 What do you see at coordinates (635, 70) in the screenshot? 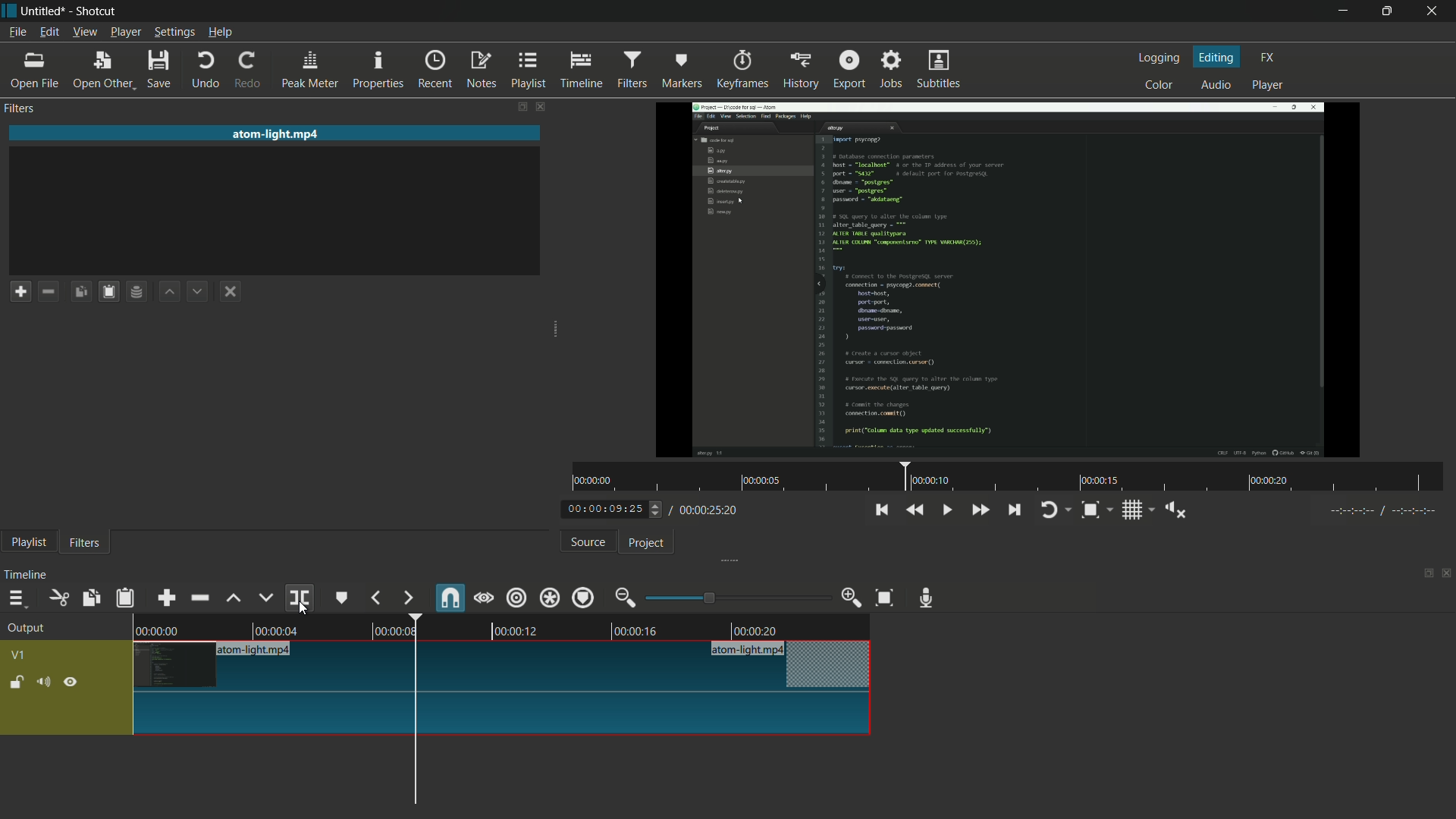
I see `filters` at bounding box center [635, 70].